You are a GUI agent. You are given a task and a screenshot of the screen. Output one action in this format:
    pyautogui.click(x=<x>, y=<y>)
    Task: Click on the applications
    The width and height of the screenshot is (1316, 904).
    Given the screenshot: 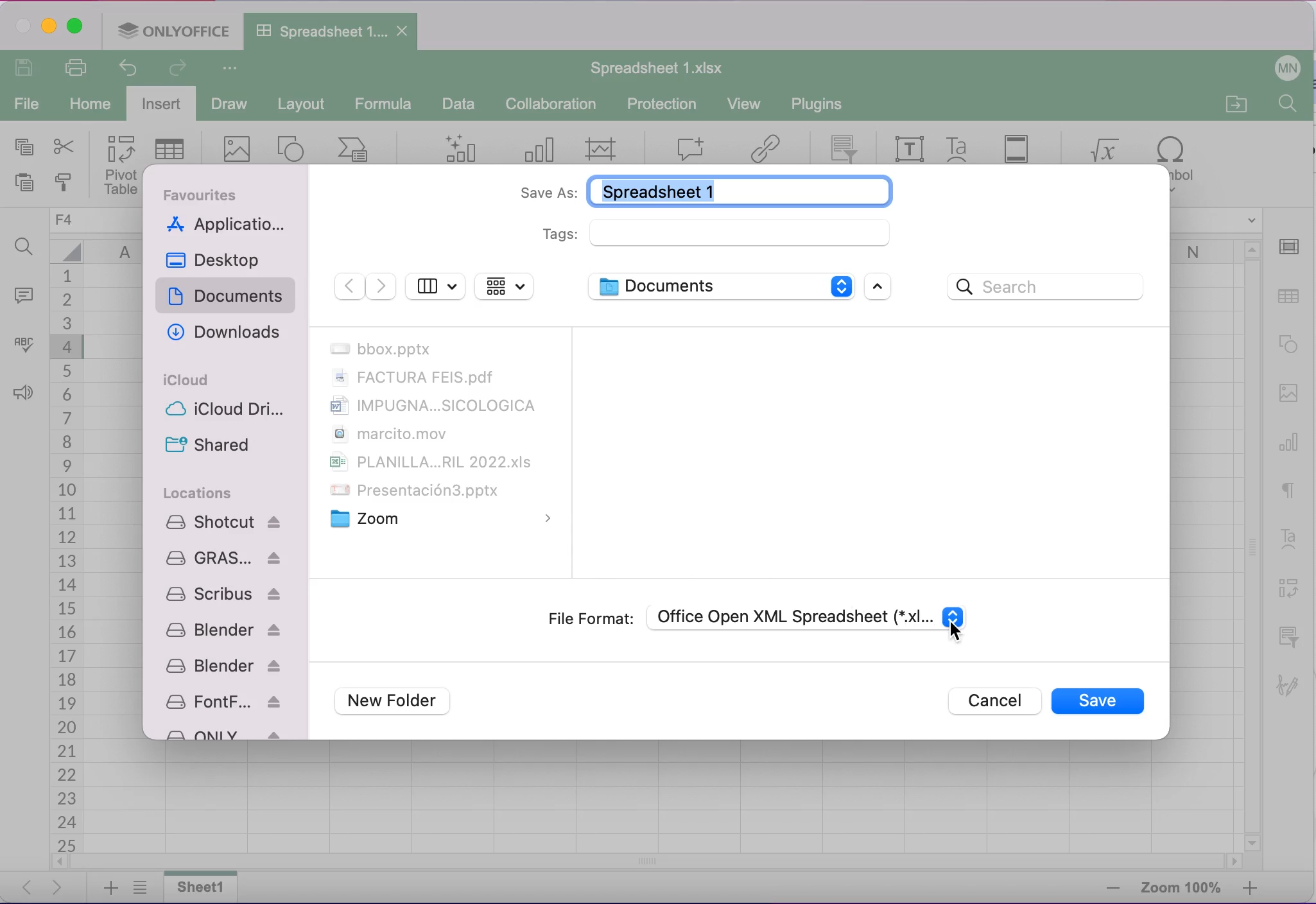 What is the action you would take?
    pyautogui.click(x=229, y=226)
    